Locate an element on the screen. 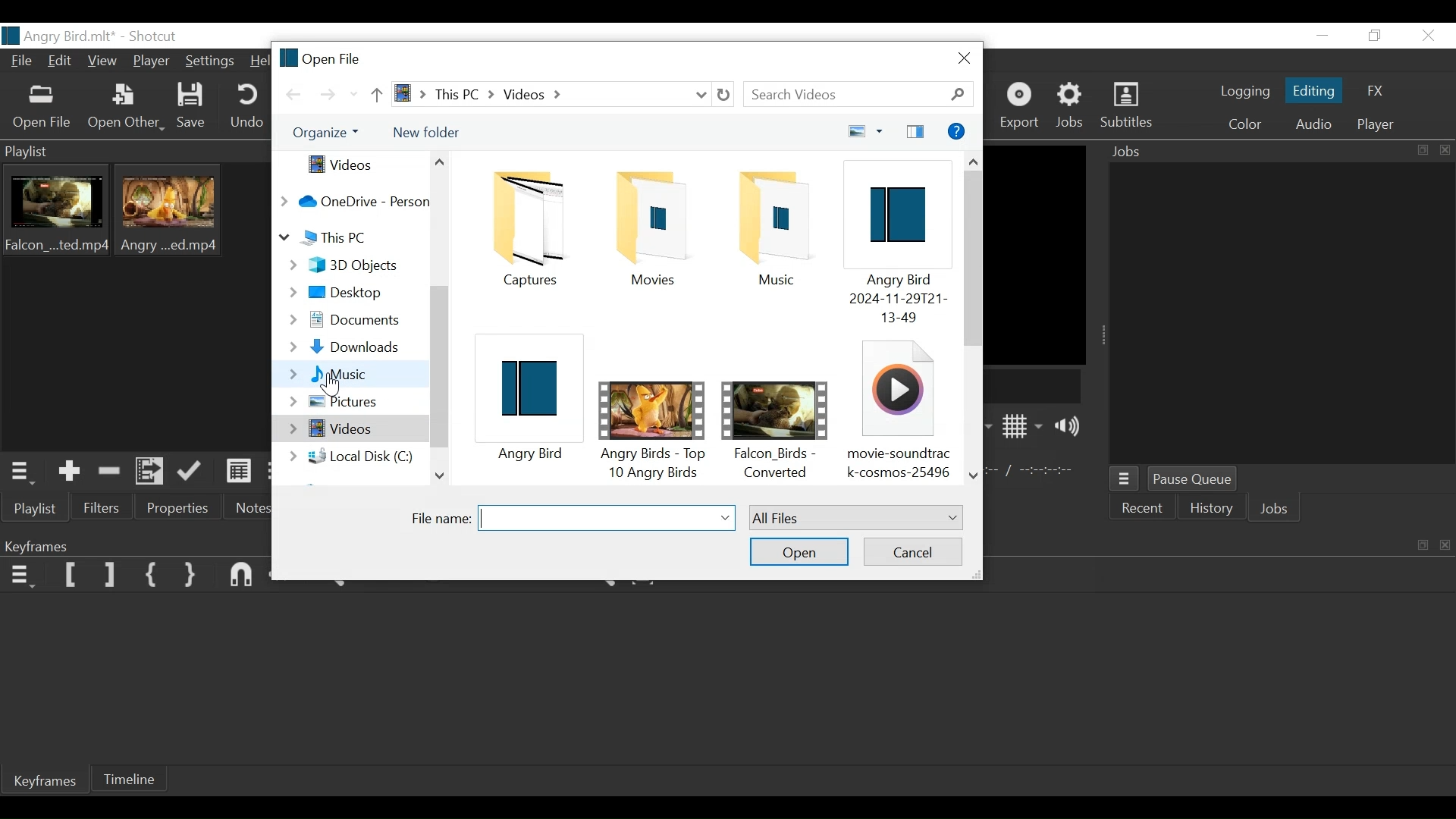 The height and width of the screenshot is (819, 1456). Documents is located at coordinates (347, 321).